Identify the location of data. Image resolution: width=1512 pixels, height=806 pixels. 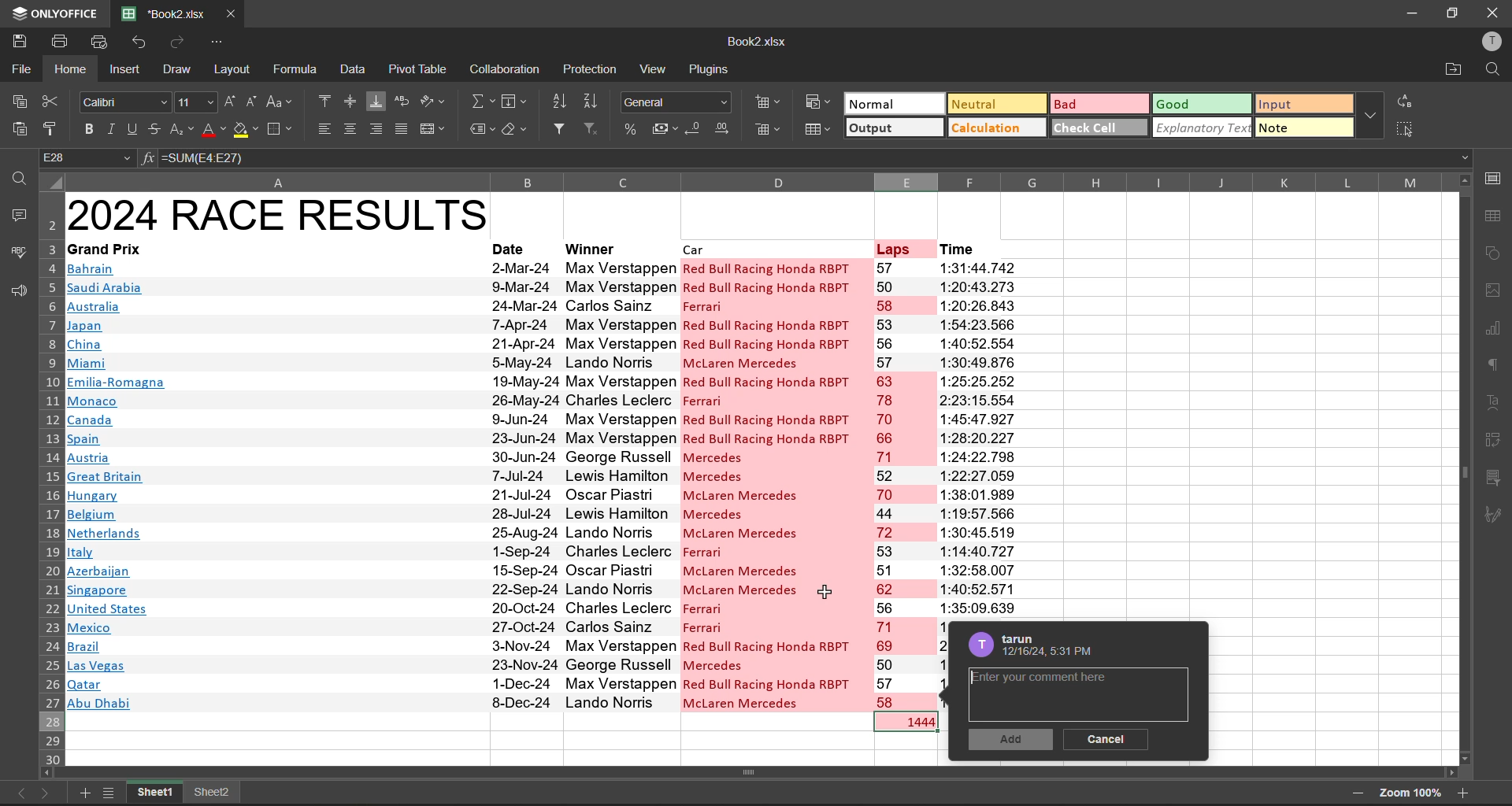
(351, 68).